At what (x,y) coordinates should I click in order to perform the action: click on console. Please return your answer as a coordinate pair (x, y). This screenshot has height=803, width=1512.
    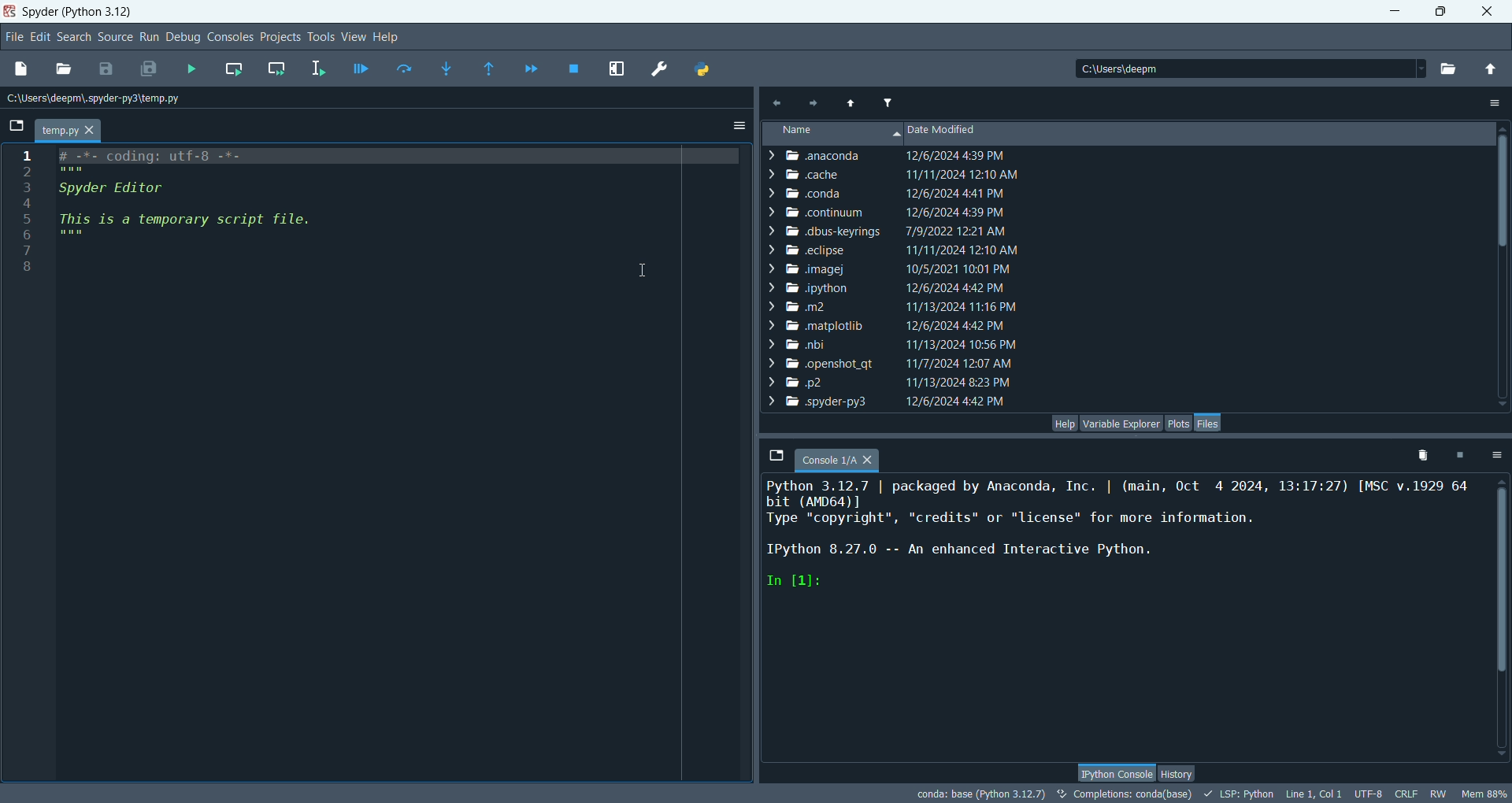
    Looking at the image, I should click on (840, 455).